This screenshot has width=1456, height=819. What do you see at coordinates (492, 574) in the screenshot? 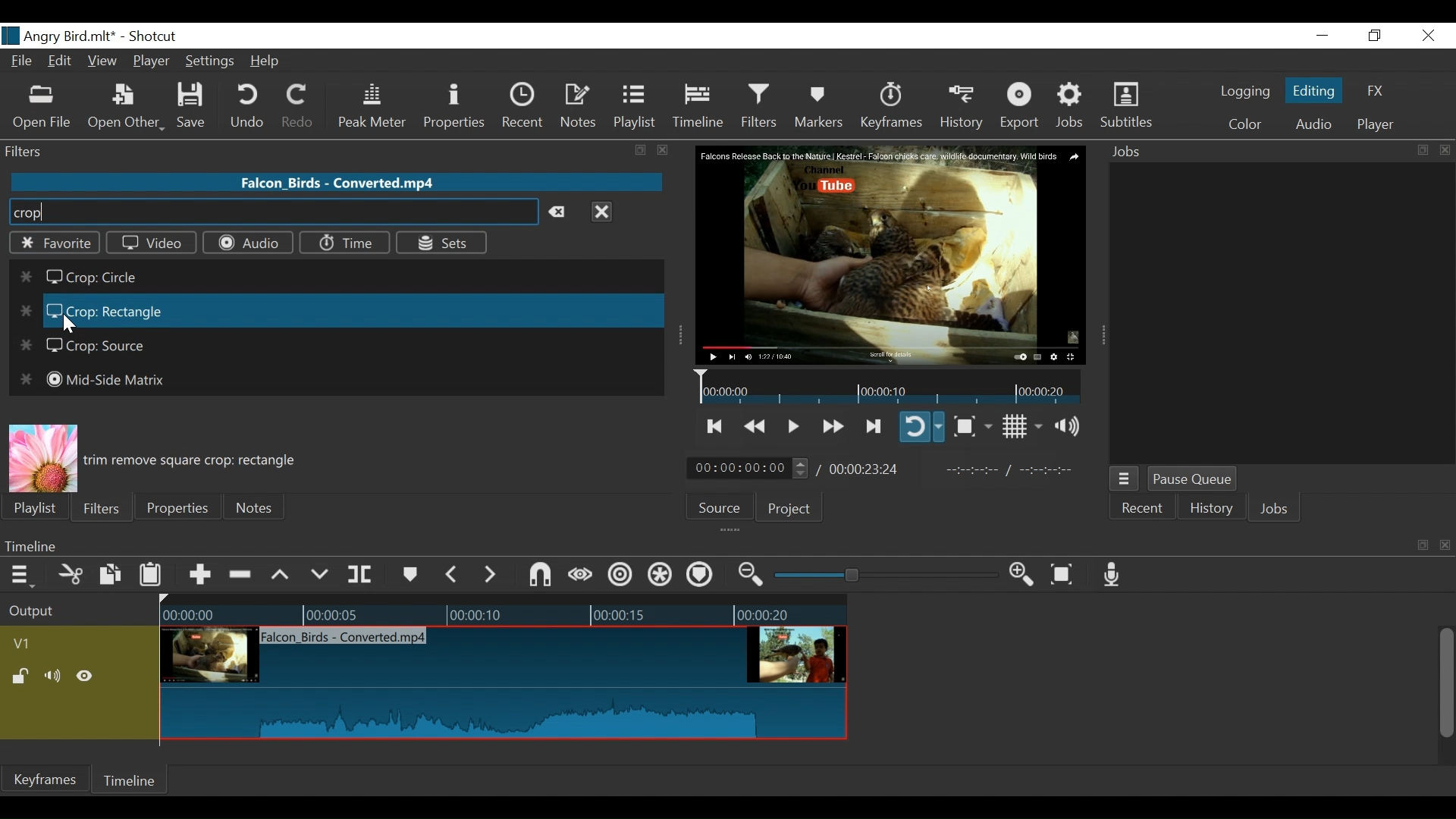
I see `Next Marker` at bounding box center [492, 574].